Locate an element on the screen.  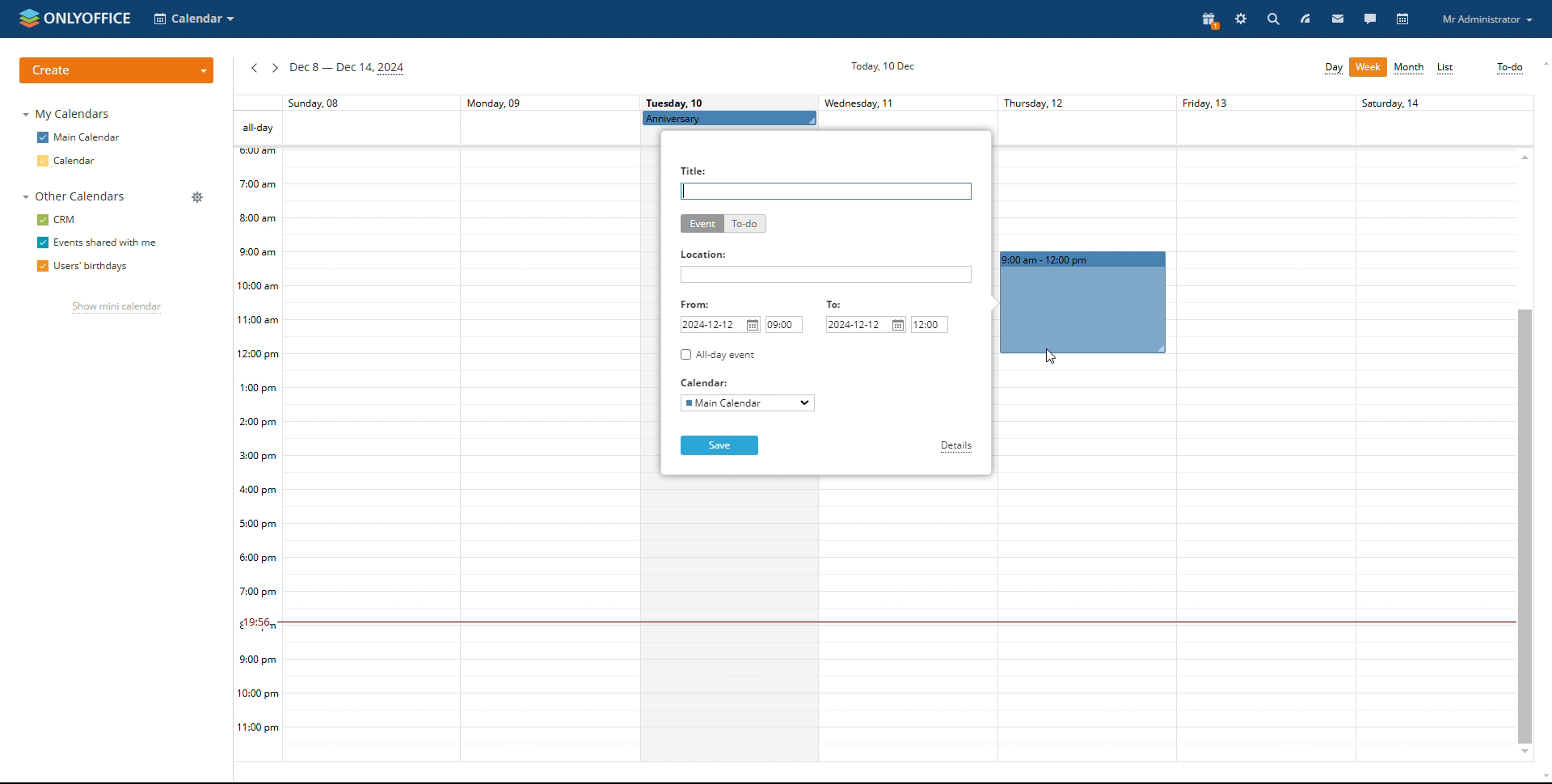
details is located at coordinates (957, 447).